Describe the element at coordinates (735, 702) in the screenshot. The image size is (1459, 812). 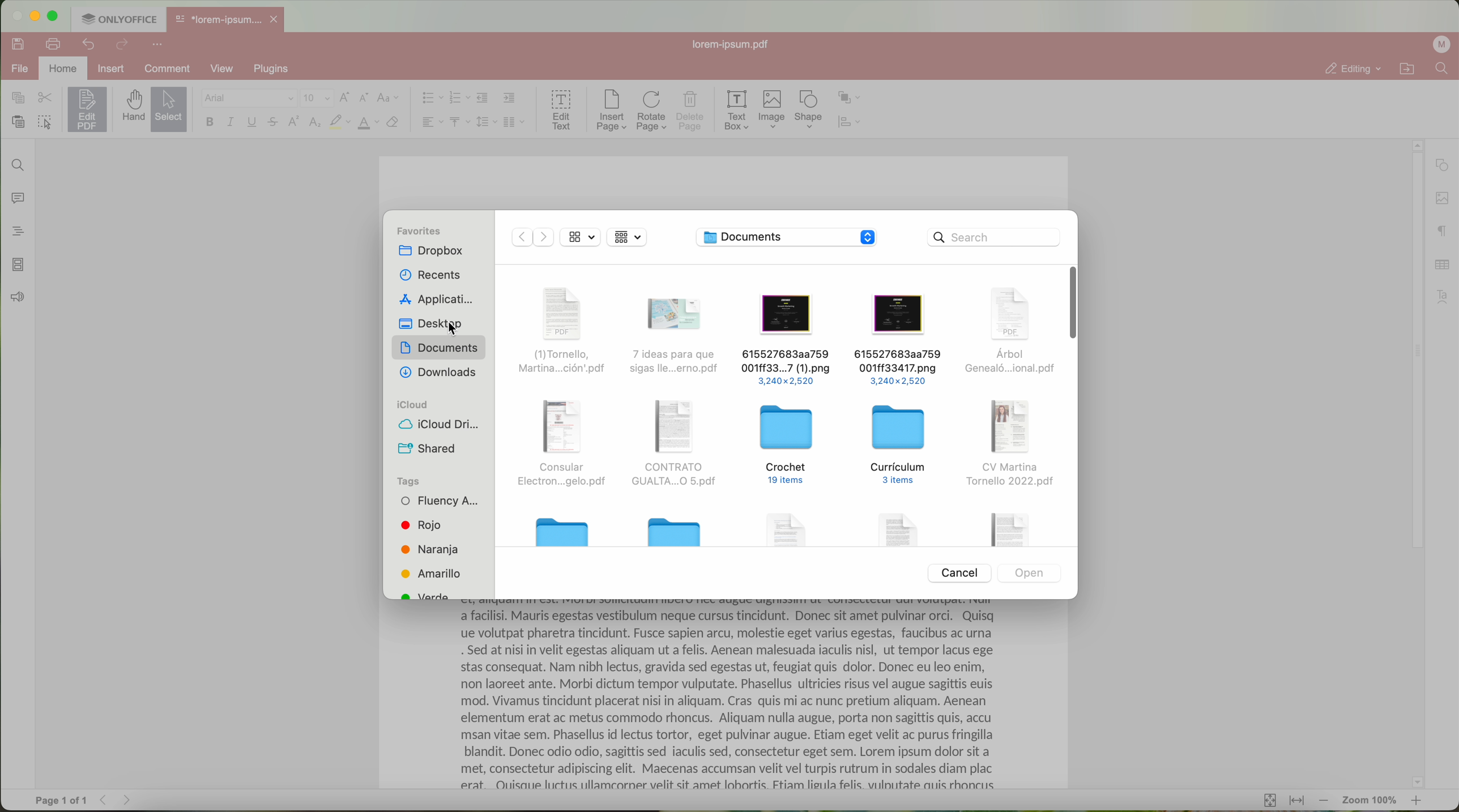
I see `a facilisi. Mauris egestas vestibulum neque cursus tinciaunt. Donec sit amet pulvinar orci.  Quisq
ue volutpat pharetra tincidunt. Fusce sapien arcu, molestie eget varius egestas, faucibus ac urna
. Sed at nisi in velit egestas aliquam ut a felis. Aenean malesuada iaculis nisl, ut tempor lacus ege
stas consequat. Nam nibh lectus, gravida sed egestas ut, feugiat quis dolor. Donec eu leo enim,
non laoreet ante. Morbi dictum tempor vulputate. Phasellus ultricies risus vel augue sagittis euis
mod. Vivamus tincidunt placerat nisi in aliquam. Cras quis mi ac nunc pretium aliquam. Aenean
elementum erat ac metus commodo rhoncus. Aliquam nulla augue, porta non sagittis quis, accu
msan vitae sem. Phasellus id lectus tortor, eget pulvinar augue. Etiam eget velit ac purus fringilla
blandit. Donec odio odio, sagittis sed iaculis sed, consectetur eget sem. Lorem ipsum dolor sit a
met, consectetur adipiscing elit. Maecenas accumsan velit vel turpis rutrum in sodales diam plac
erat. OQuisaue luctus ullamcaorner velit sit amet lobortis. Ftiam lieula felis. vilnutate auis rhoncus` at that location.